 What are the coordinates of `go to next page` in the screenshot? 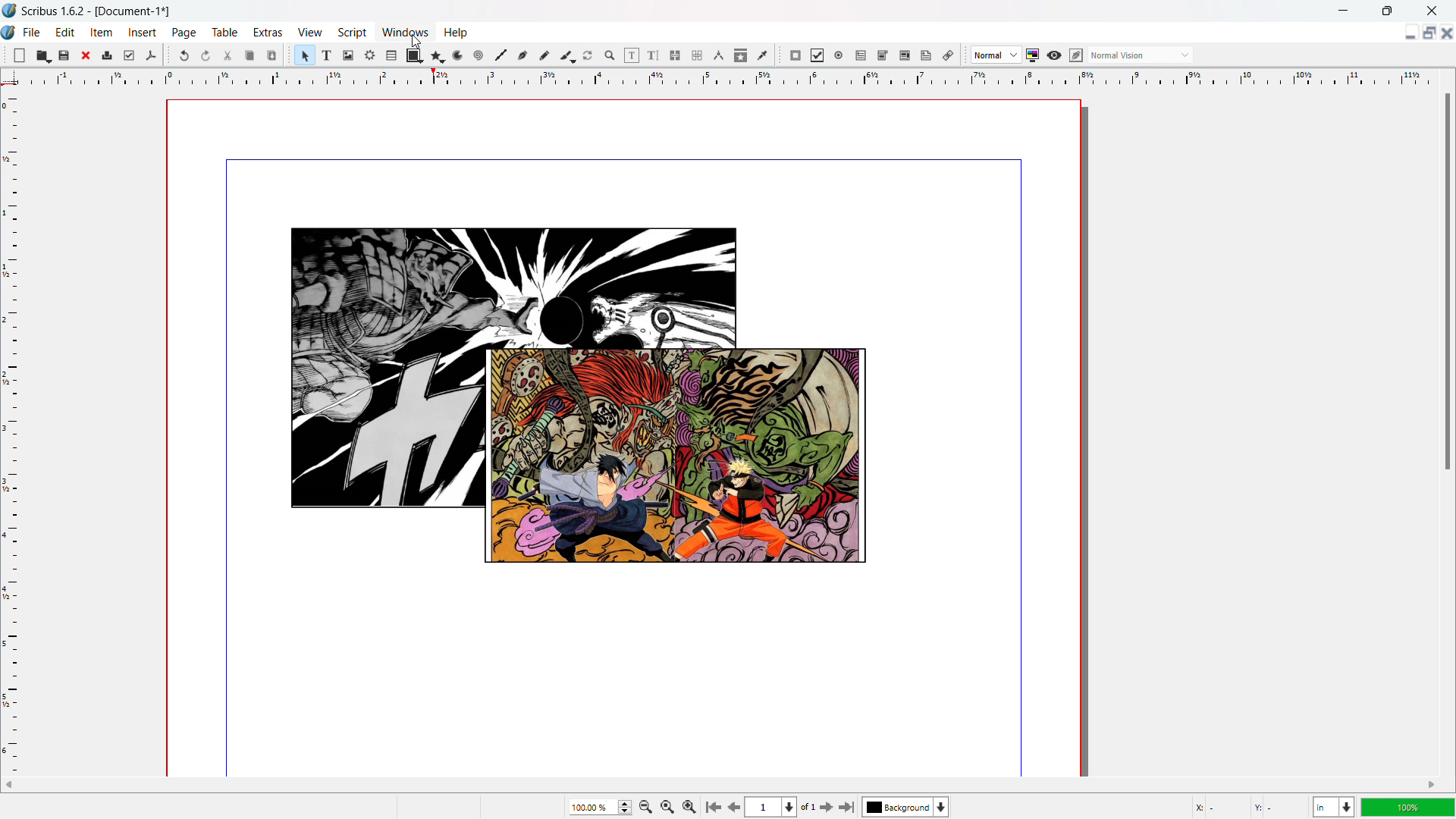 It's located at (826, 807).